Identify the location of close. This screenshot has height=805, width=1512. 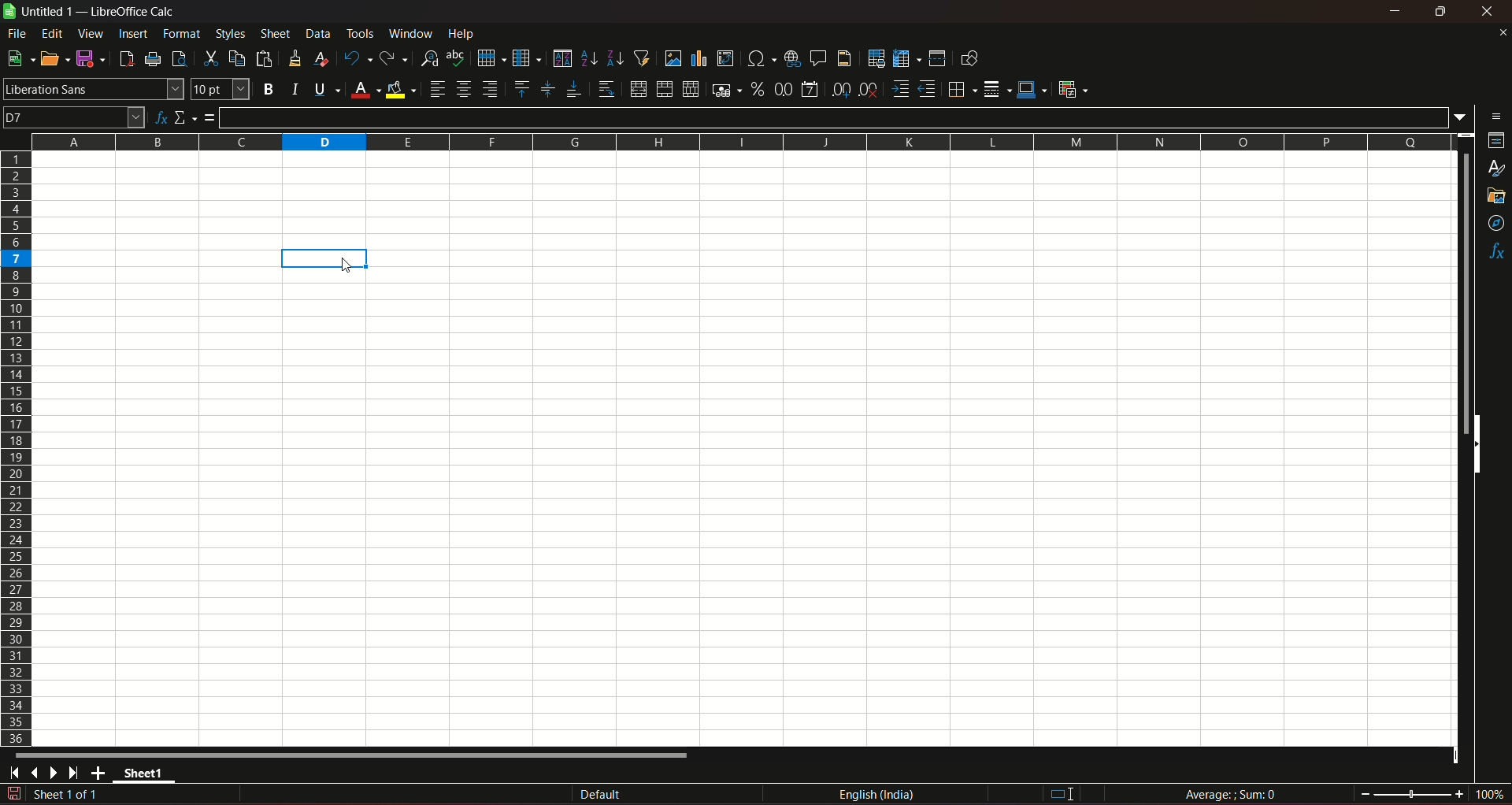
(1502, 32).